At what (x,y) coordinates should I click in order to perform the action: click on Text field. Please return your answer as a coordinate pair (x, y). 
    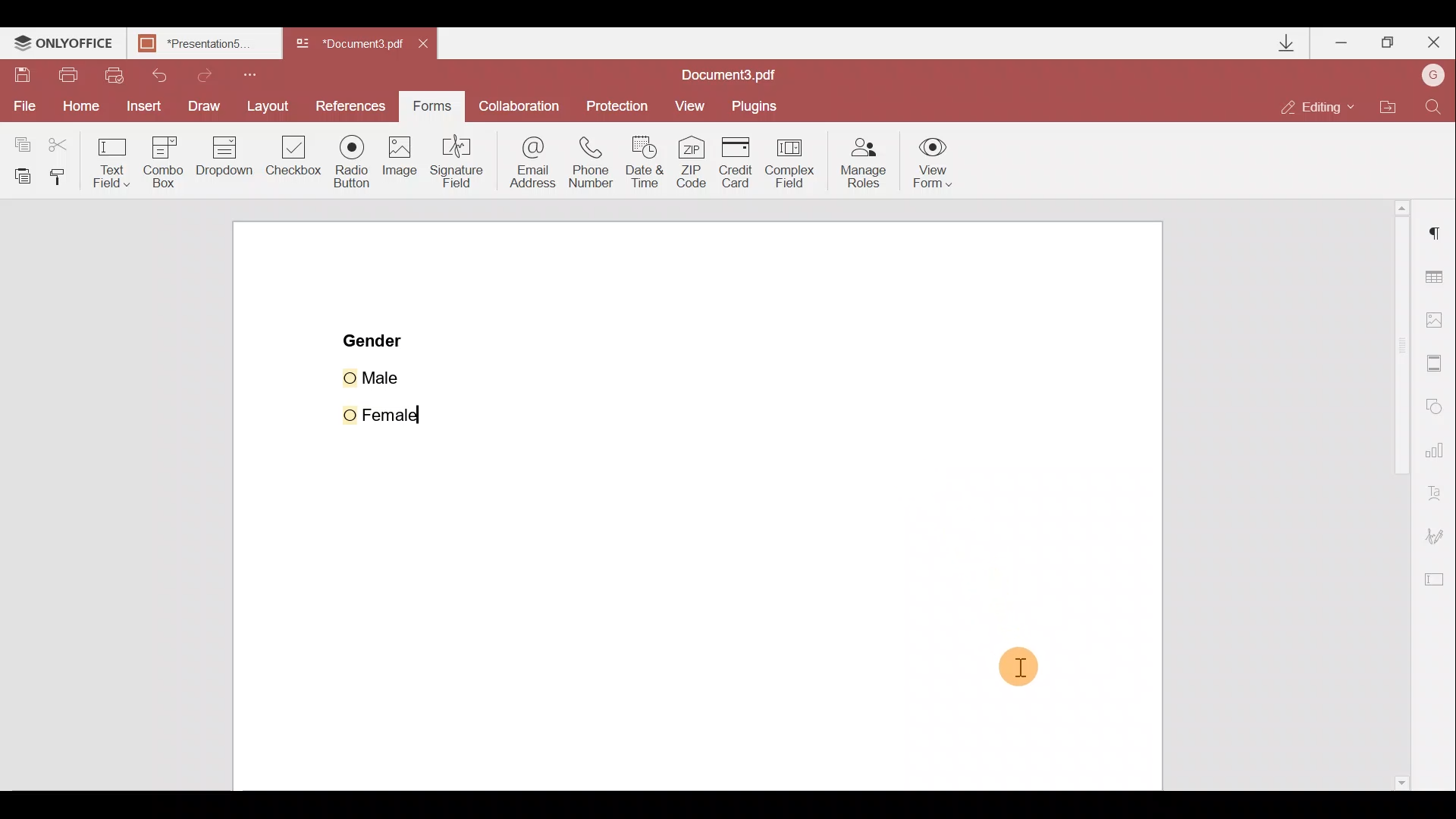
    Looking at the image, I should click on (109, 160).